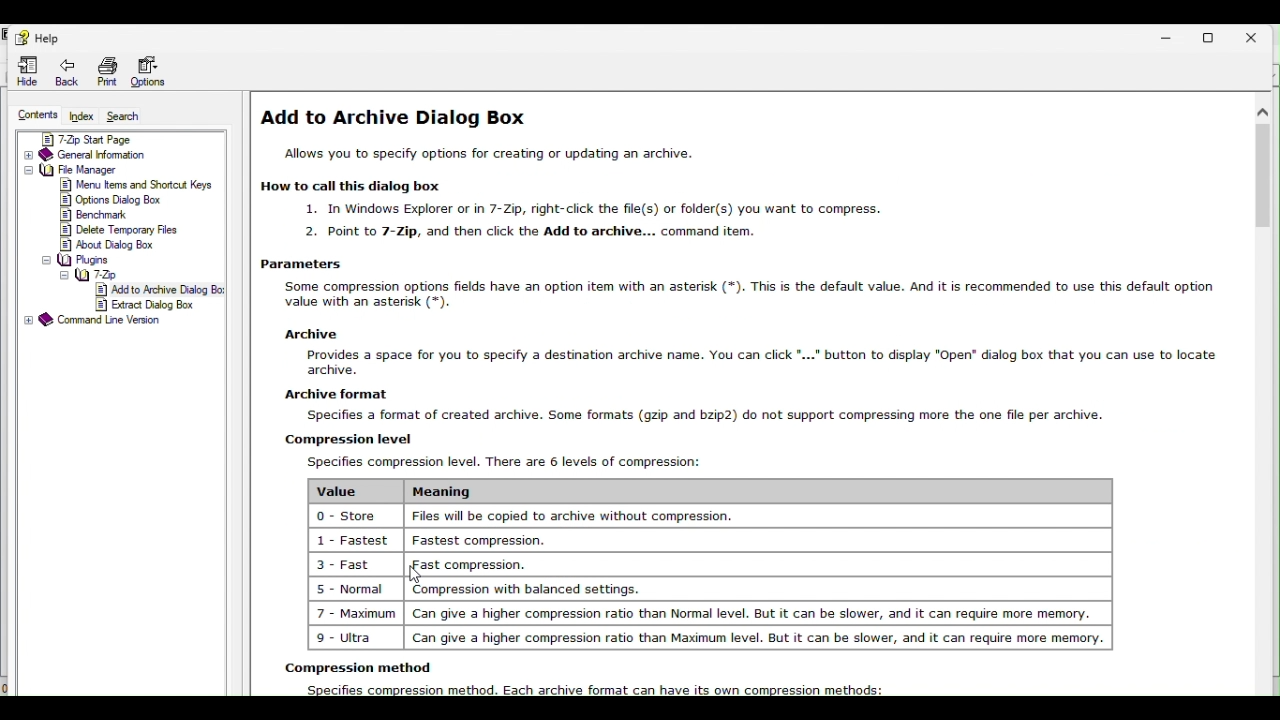 This screenshot has height=720, width=1280. I want to click on dialog box, so click(748, 394).